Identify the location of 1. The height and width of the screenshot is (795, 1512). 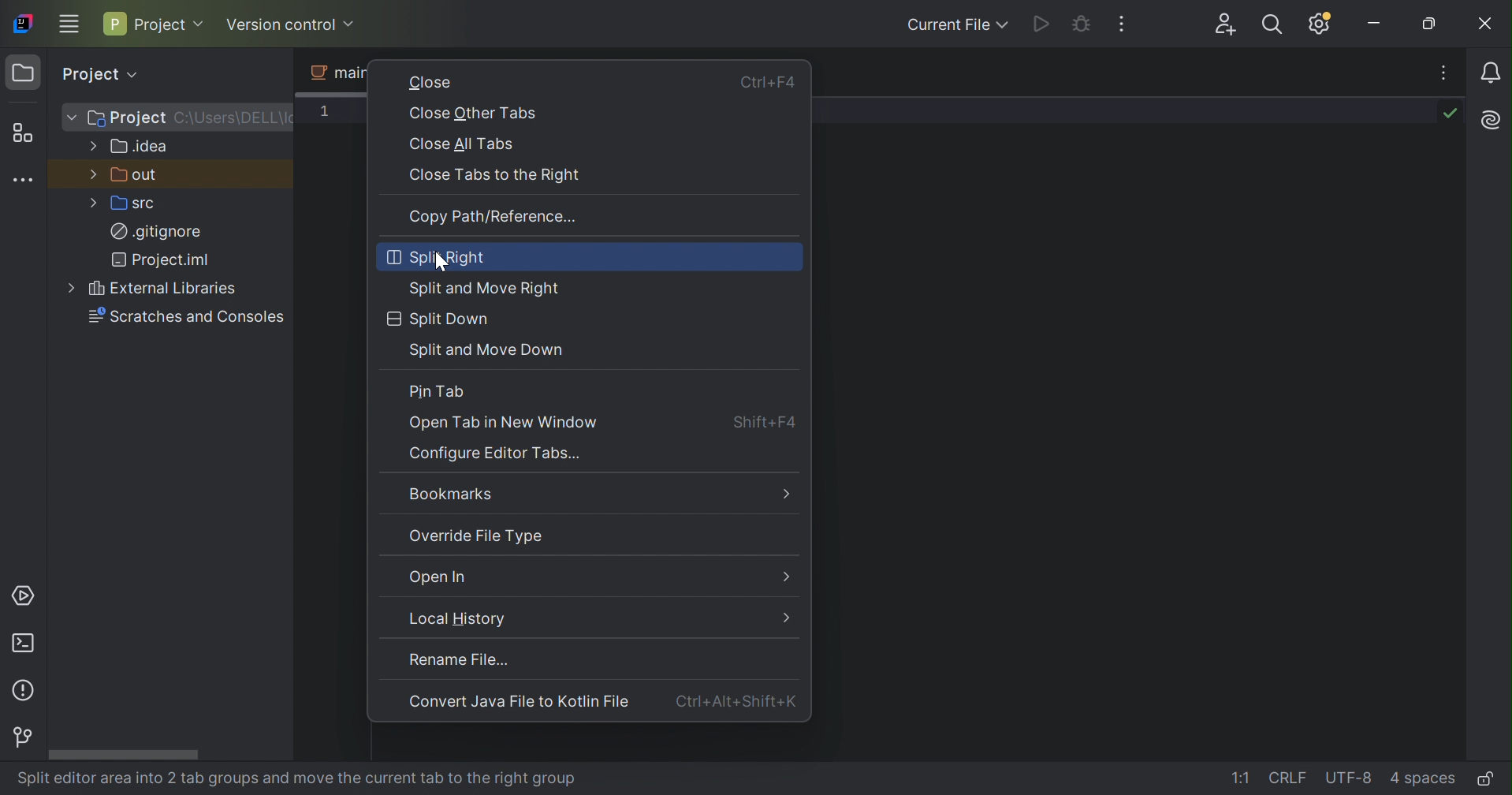
(332, 114).